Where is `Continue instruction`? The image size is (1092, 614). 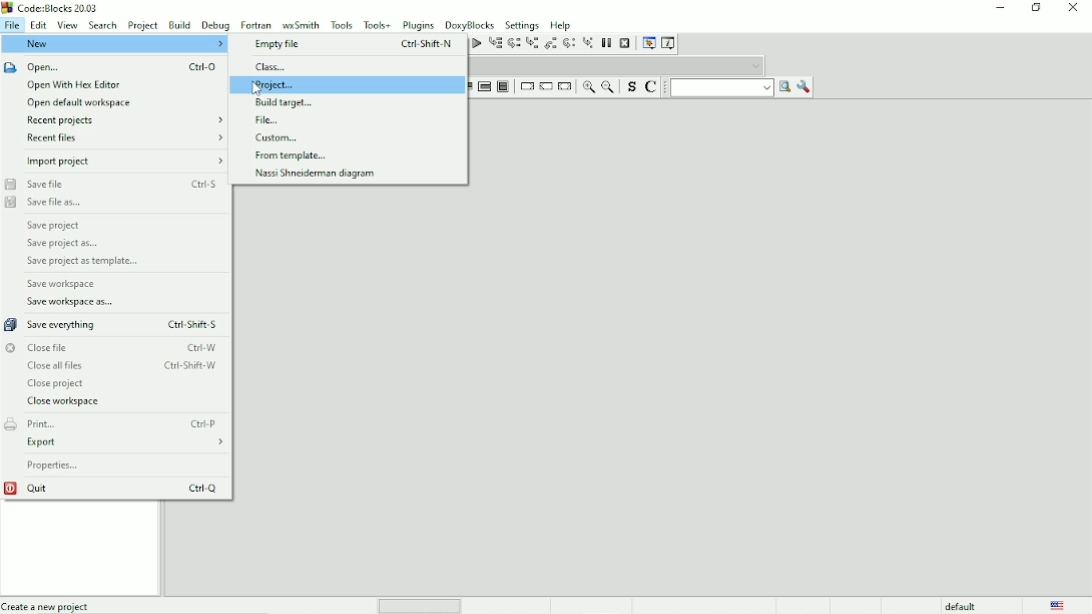
Continue instruction is located at coordinates (545, 87).